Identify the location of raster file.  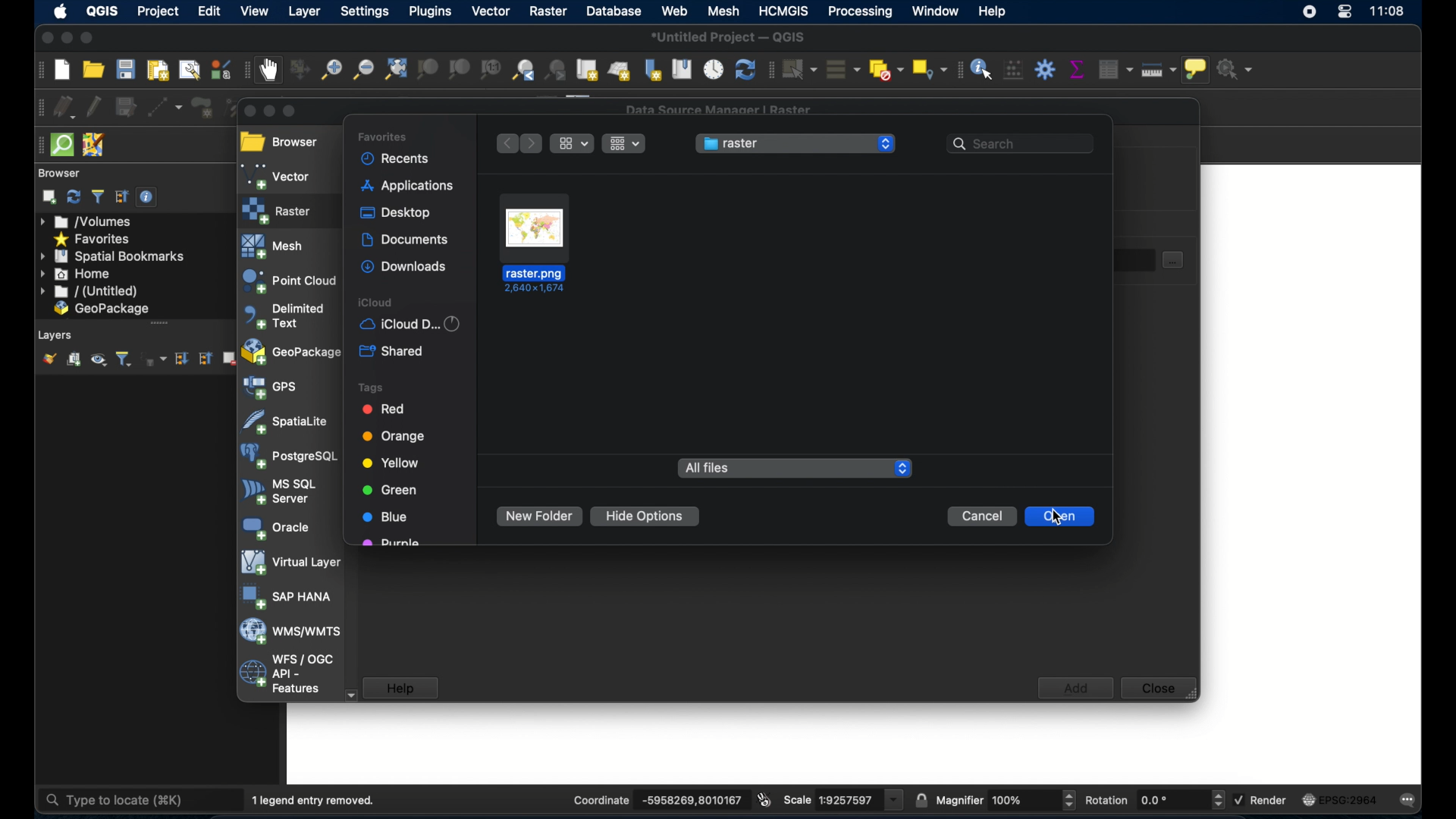
(536, 228).